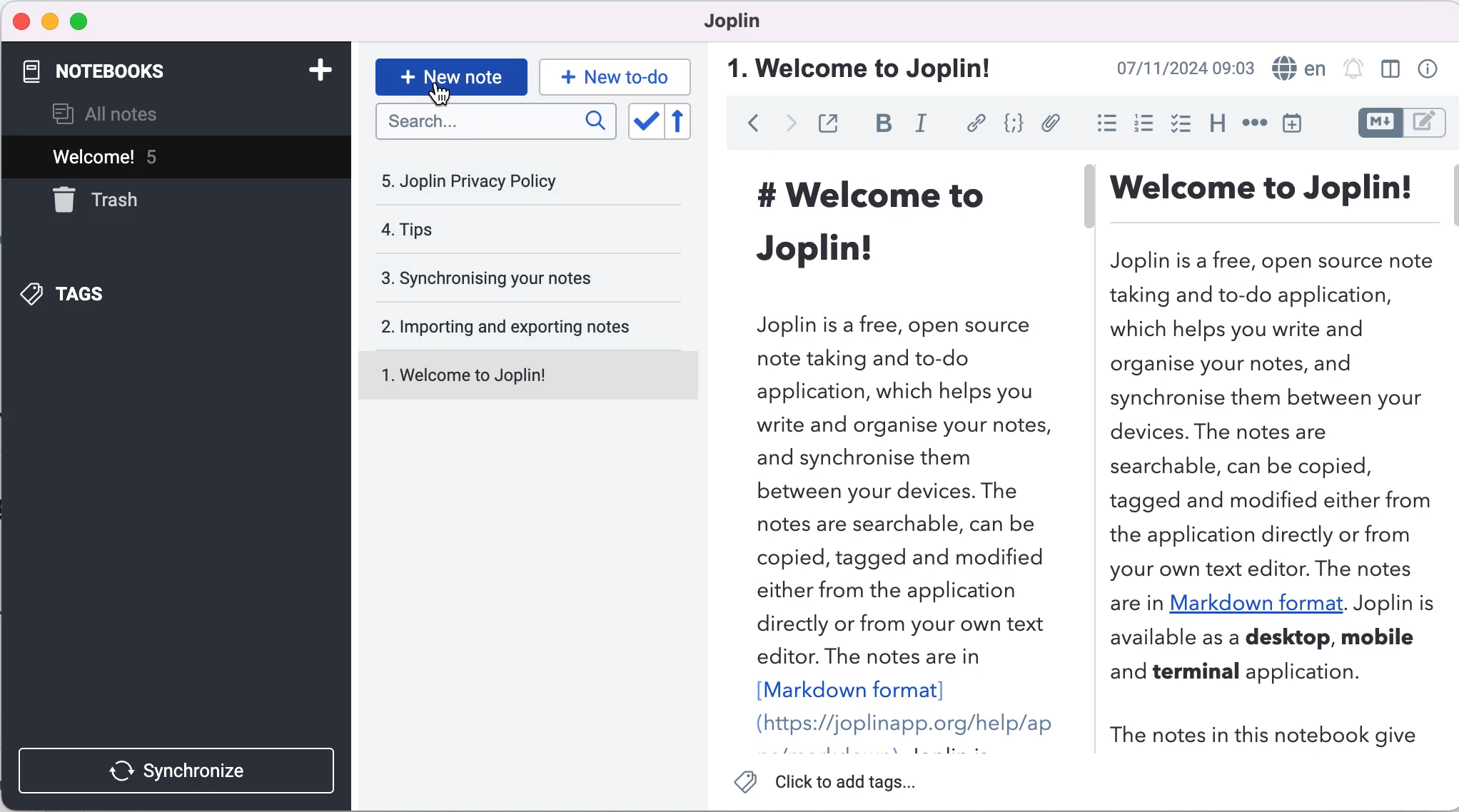 Image resolution: width=1459 pixels, height=812 pixels. Describe the element at coordinates (646, 123) in the screenshot. I see `toggle sort order field` at that location.